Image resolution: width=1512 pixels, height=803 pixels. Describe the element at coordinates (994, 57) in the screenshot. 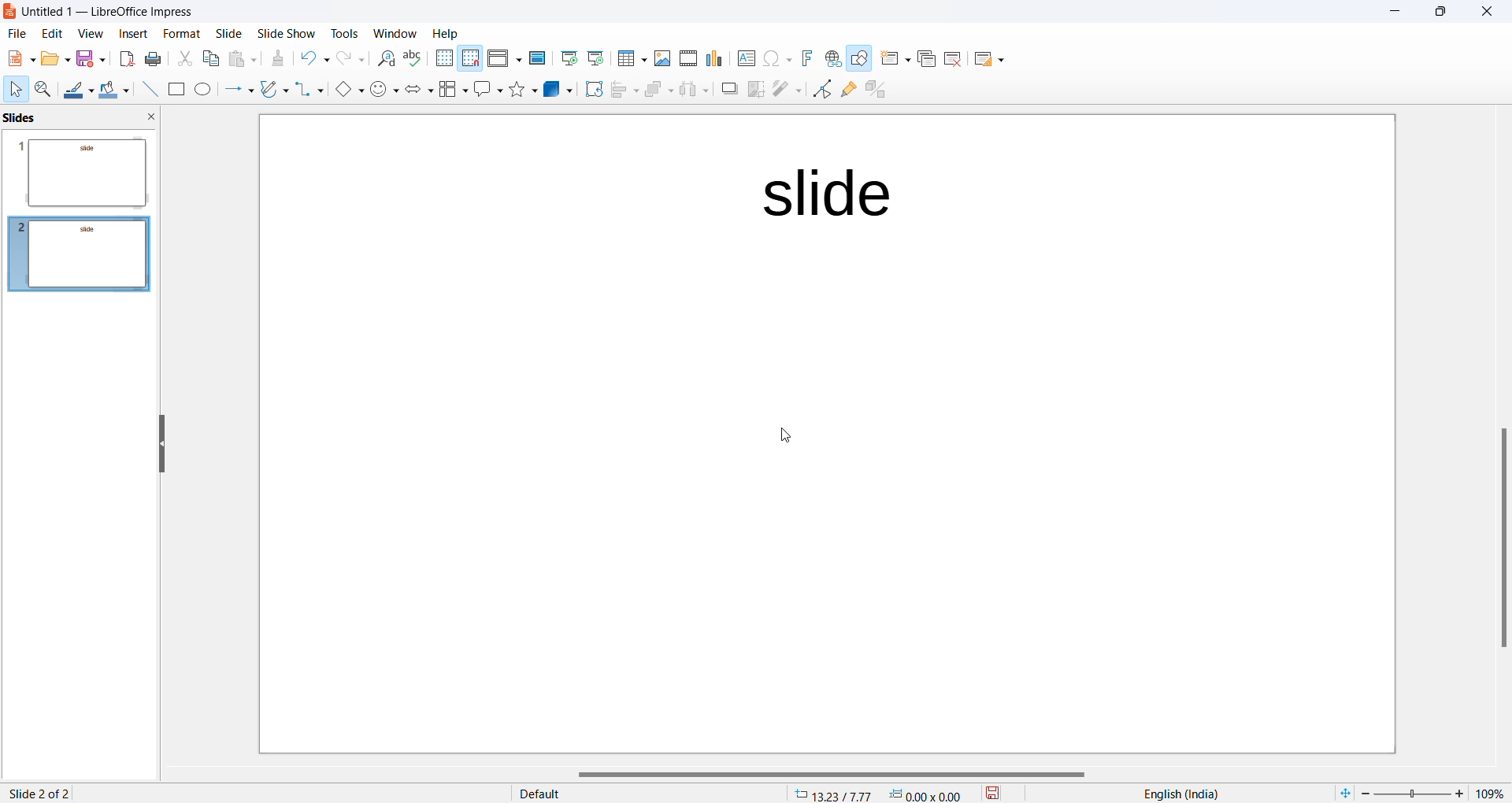

I see `Slide layout` at that location.